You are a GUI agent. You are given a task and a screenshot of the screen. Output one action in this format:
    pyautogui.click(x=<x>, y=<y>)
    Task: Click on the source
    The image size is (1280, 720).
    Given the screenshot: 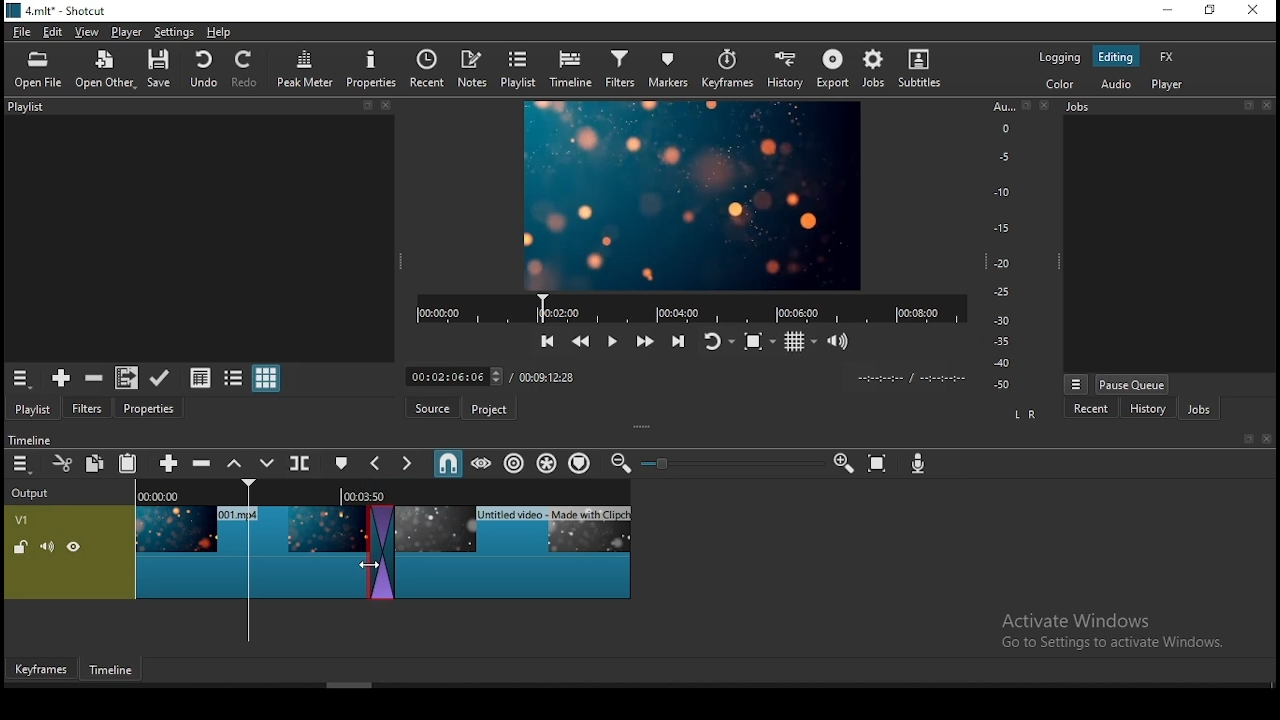 What is the action you would take?
    pyautogui.click(x=428, y=409)
    